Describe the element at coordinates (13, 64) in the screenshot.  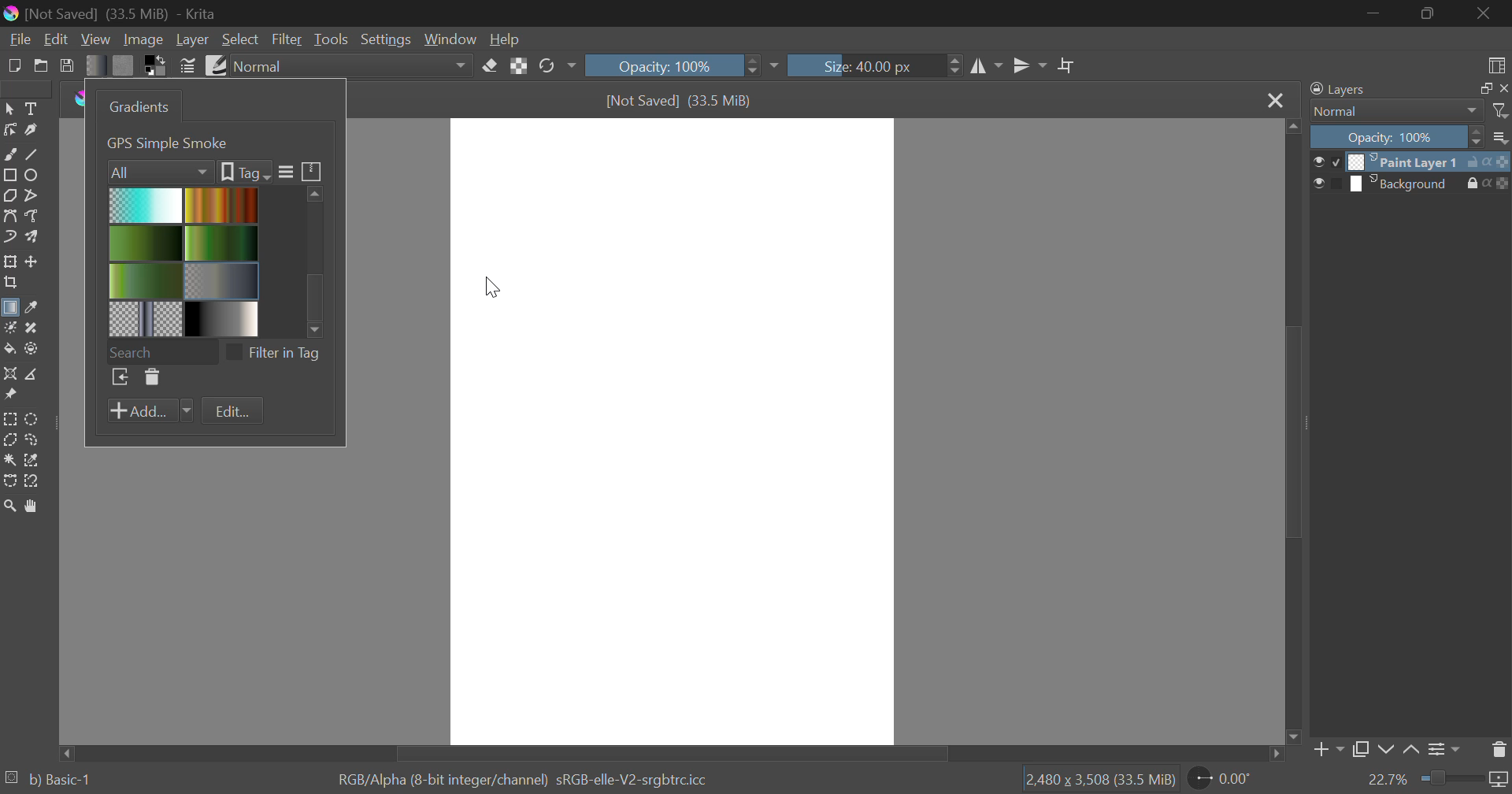
I see `New` at that location.